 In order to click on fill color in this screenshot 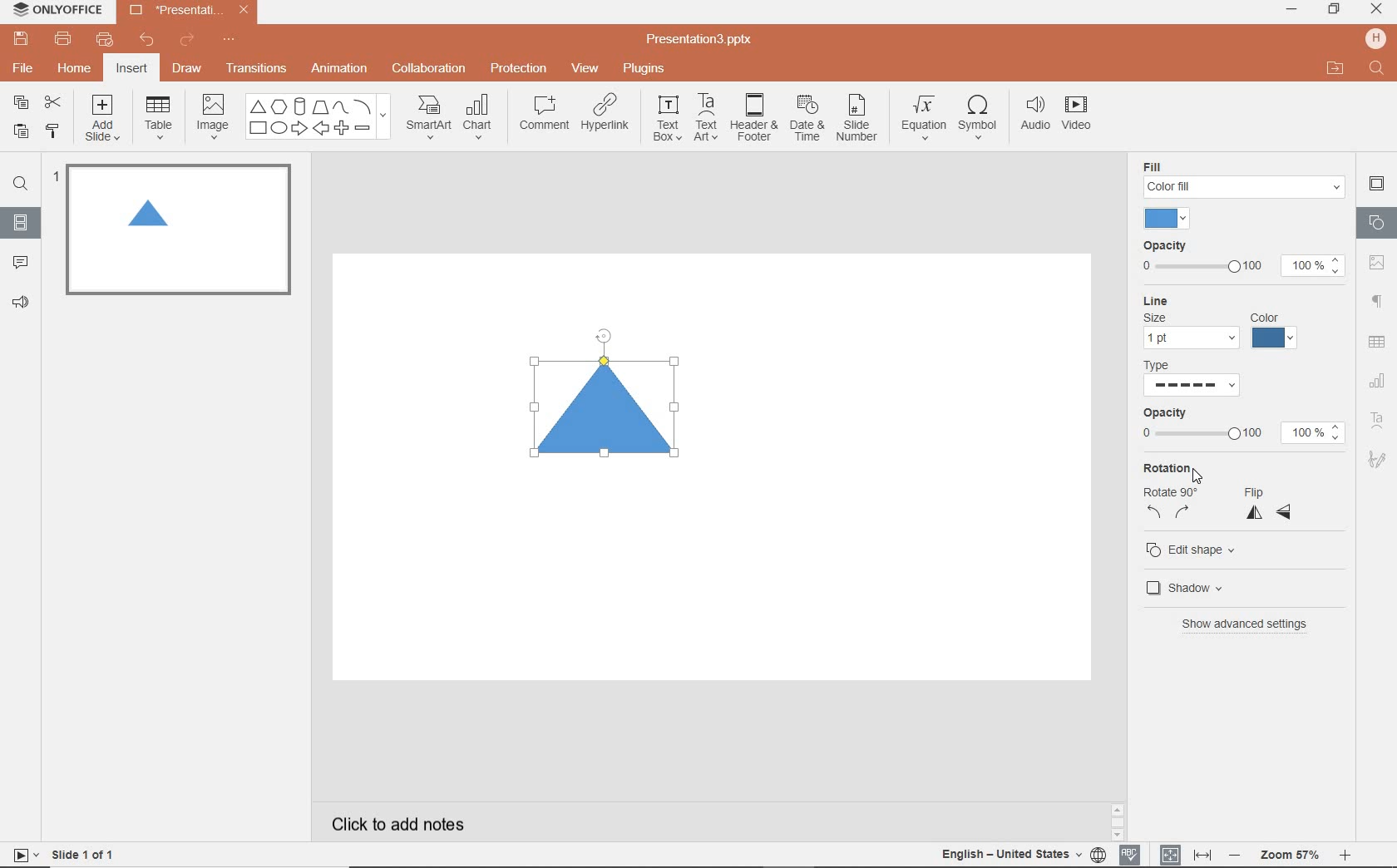, I will do `click(1170, 219)`.